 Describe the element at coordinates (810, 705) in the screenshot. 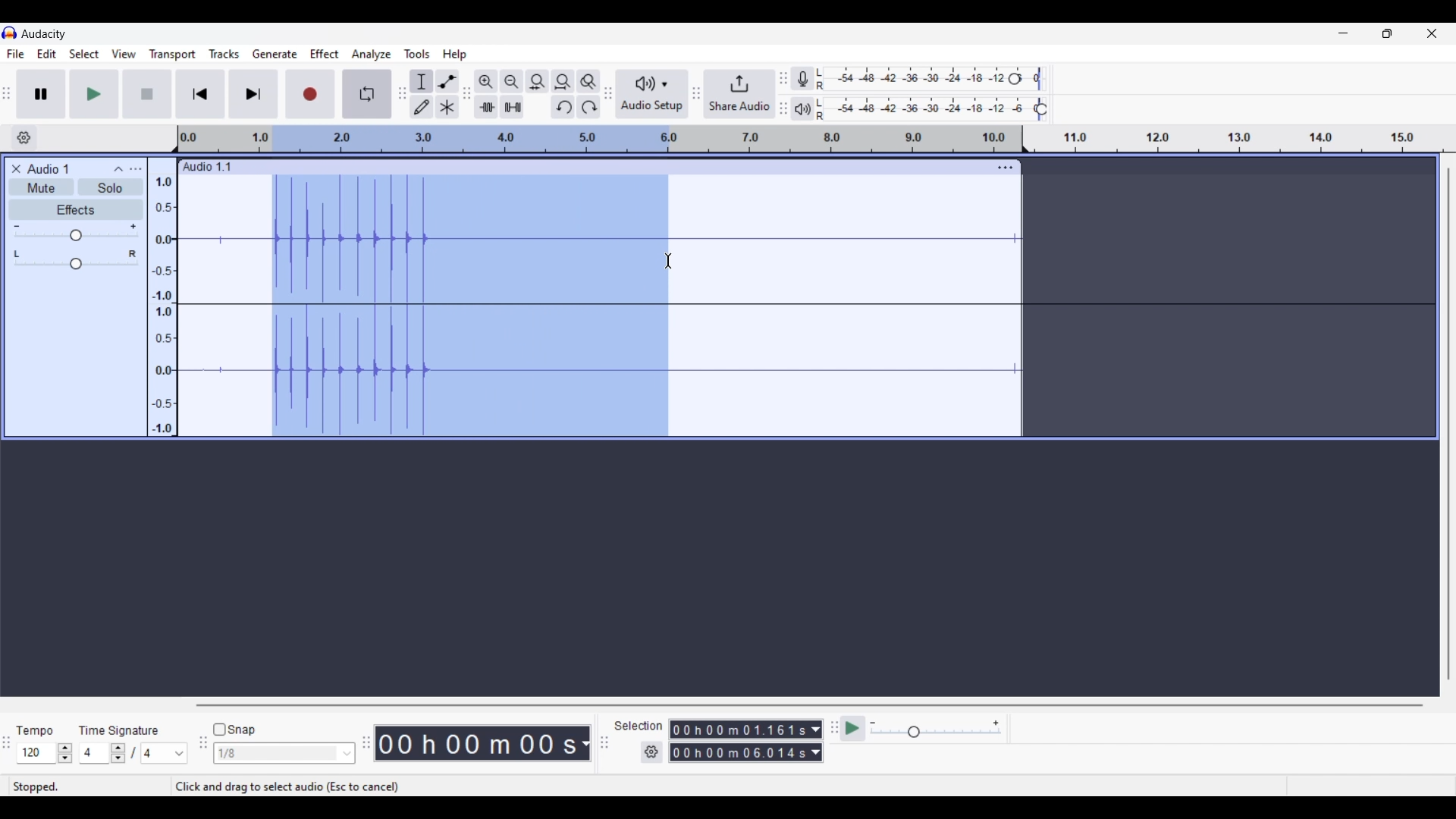

I see `Horizontal slide bar` at that location.